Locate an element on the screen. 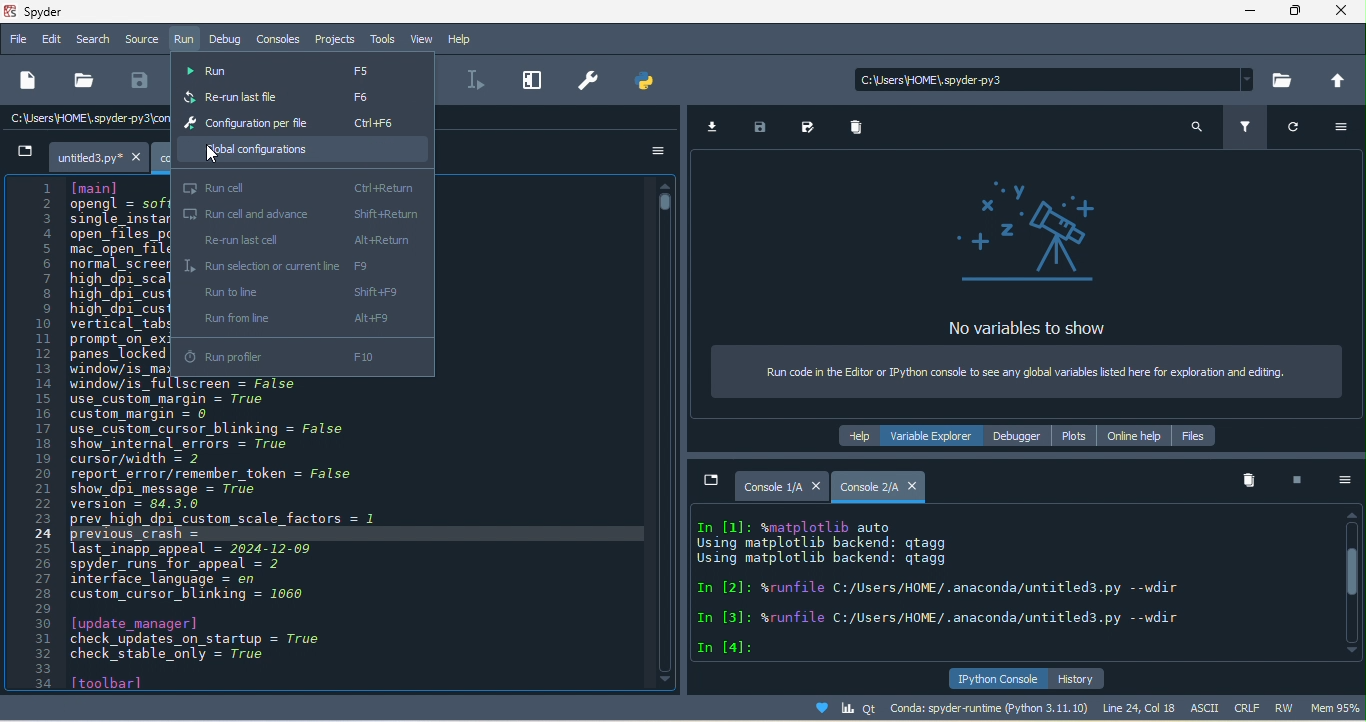 This screenshot has height=722, width=1366. run is located at coordinates (186, 41).